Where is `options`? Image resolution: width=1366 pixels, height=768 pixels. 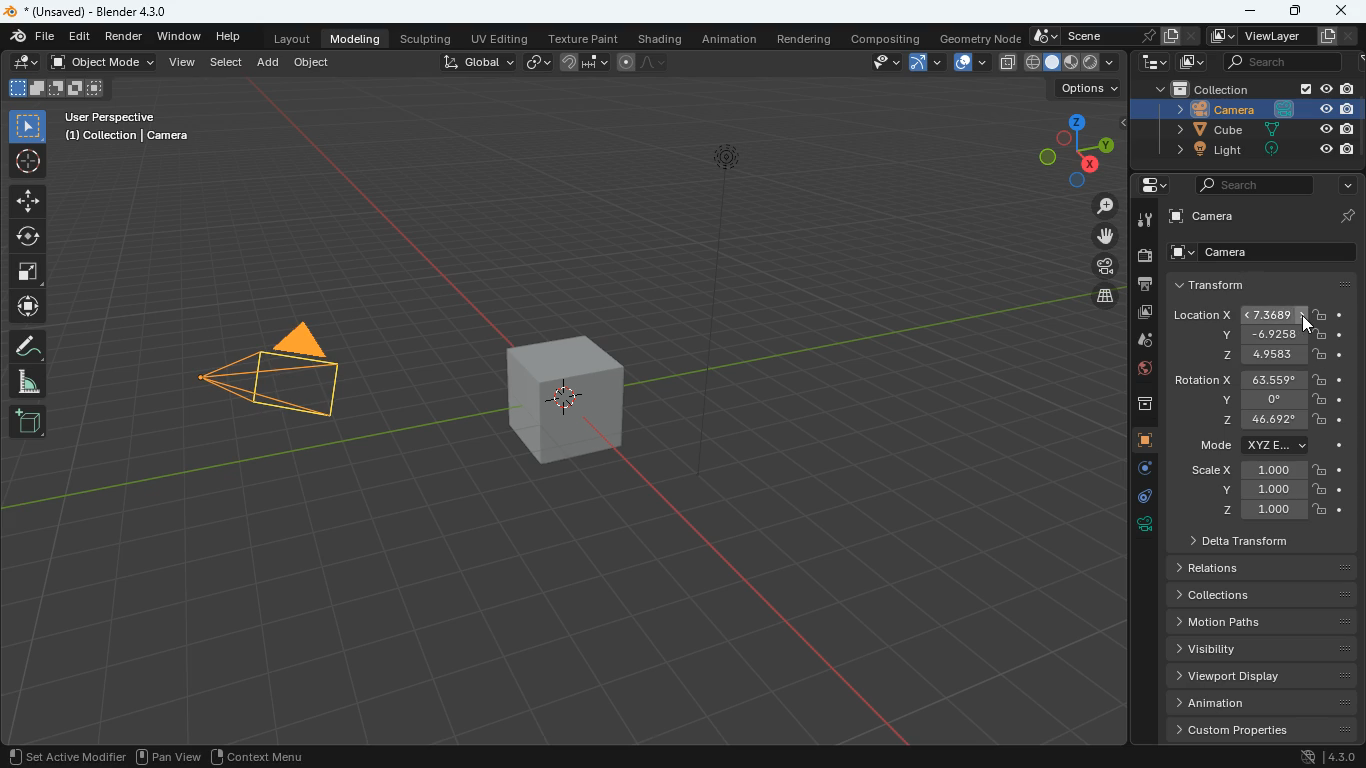 options is located at coordinates (1090, 89).